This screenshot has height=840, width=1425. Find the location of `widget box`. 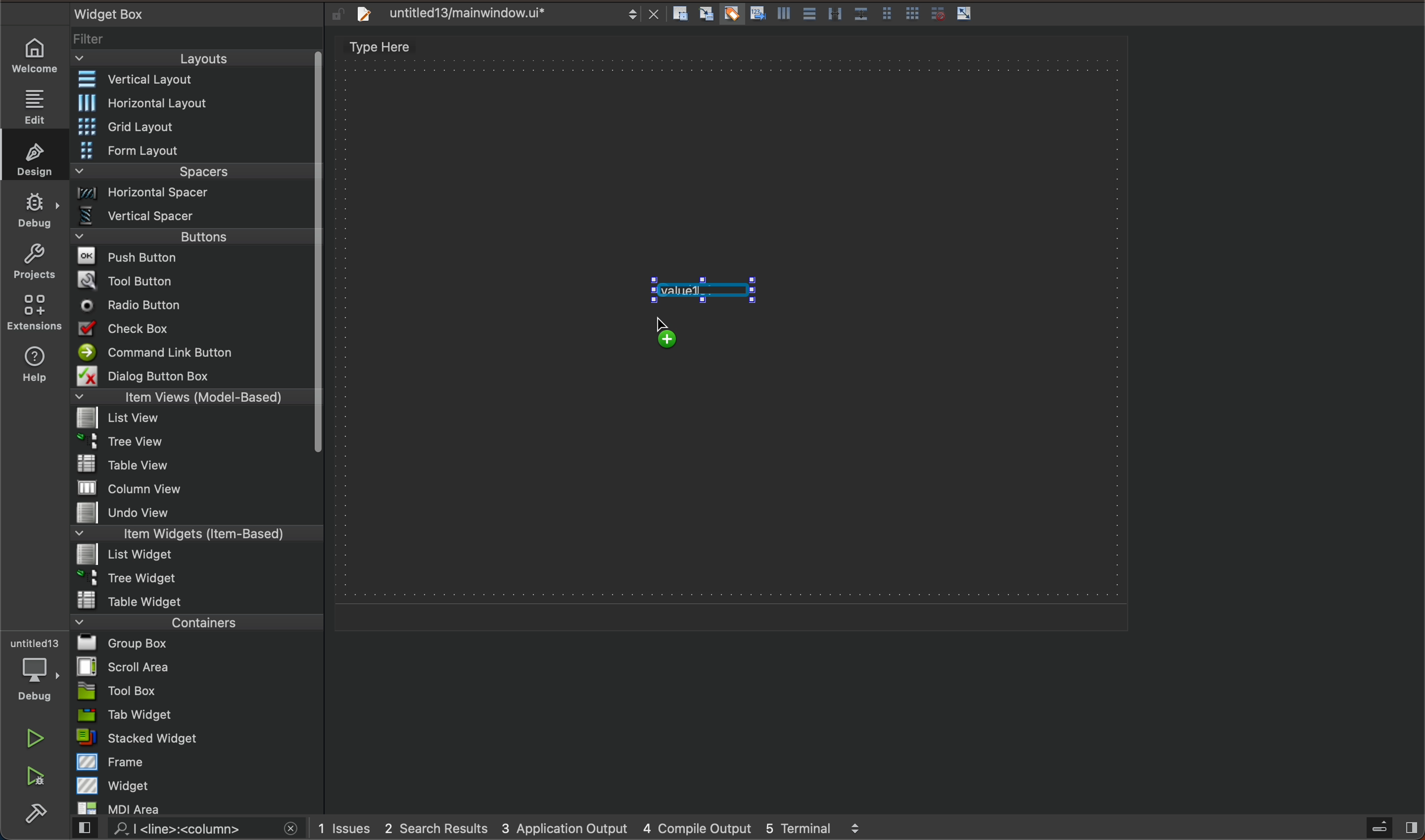

widget box is located at coordinates (181, 13).